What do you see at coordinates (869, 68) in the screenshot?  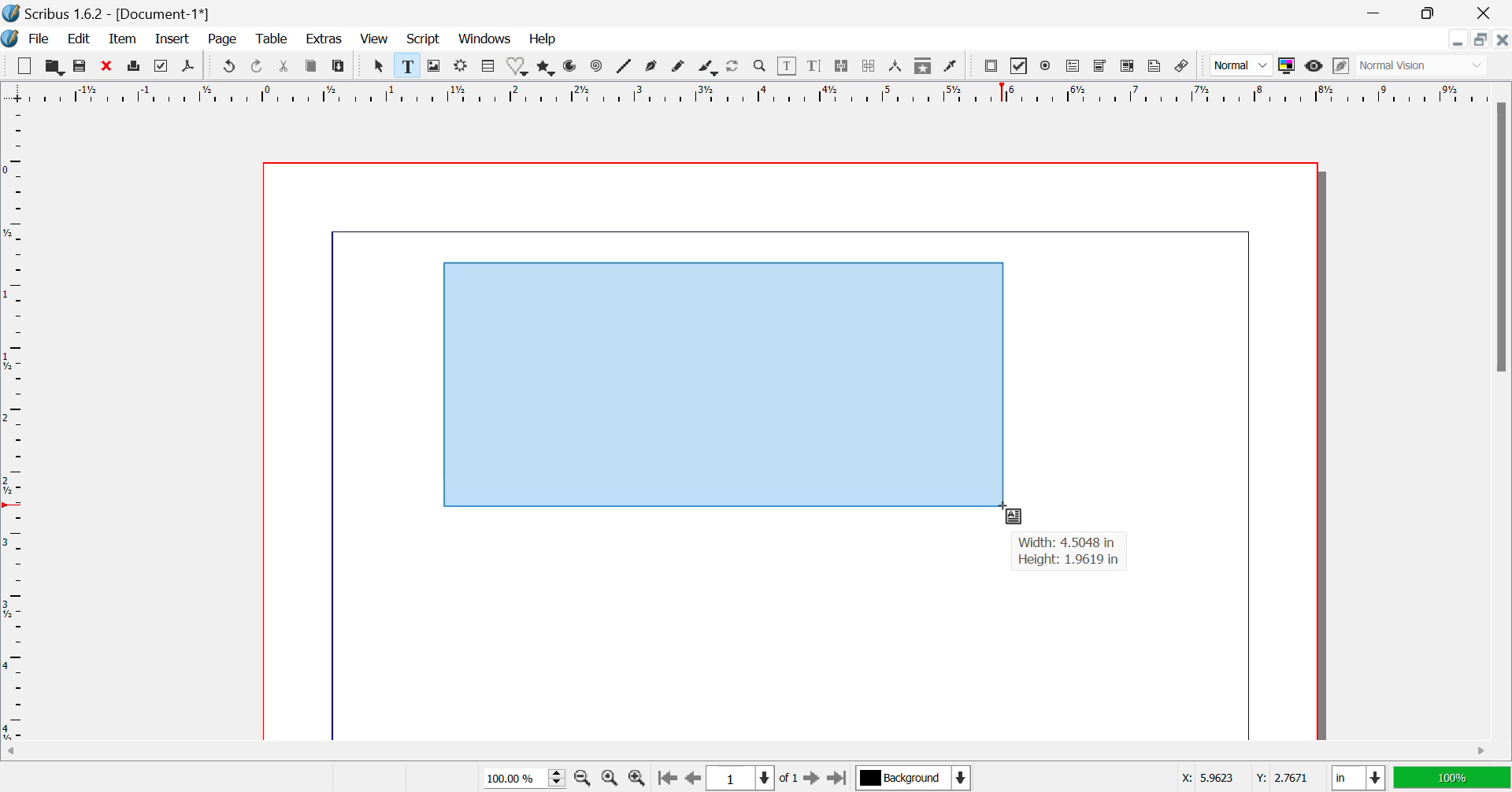 I see `Delink Text Frame` at bounding box center [869, 68].